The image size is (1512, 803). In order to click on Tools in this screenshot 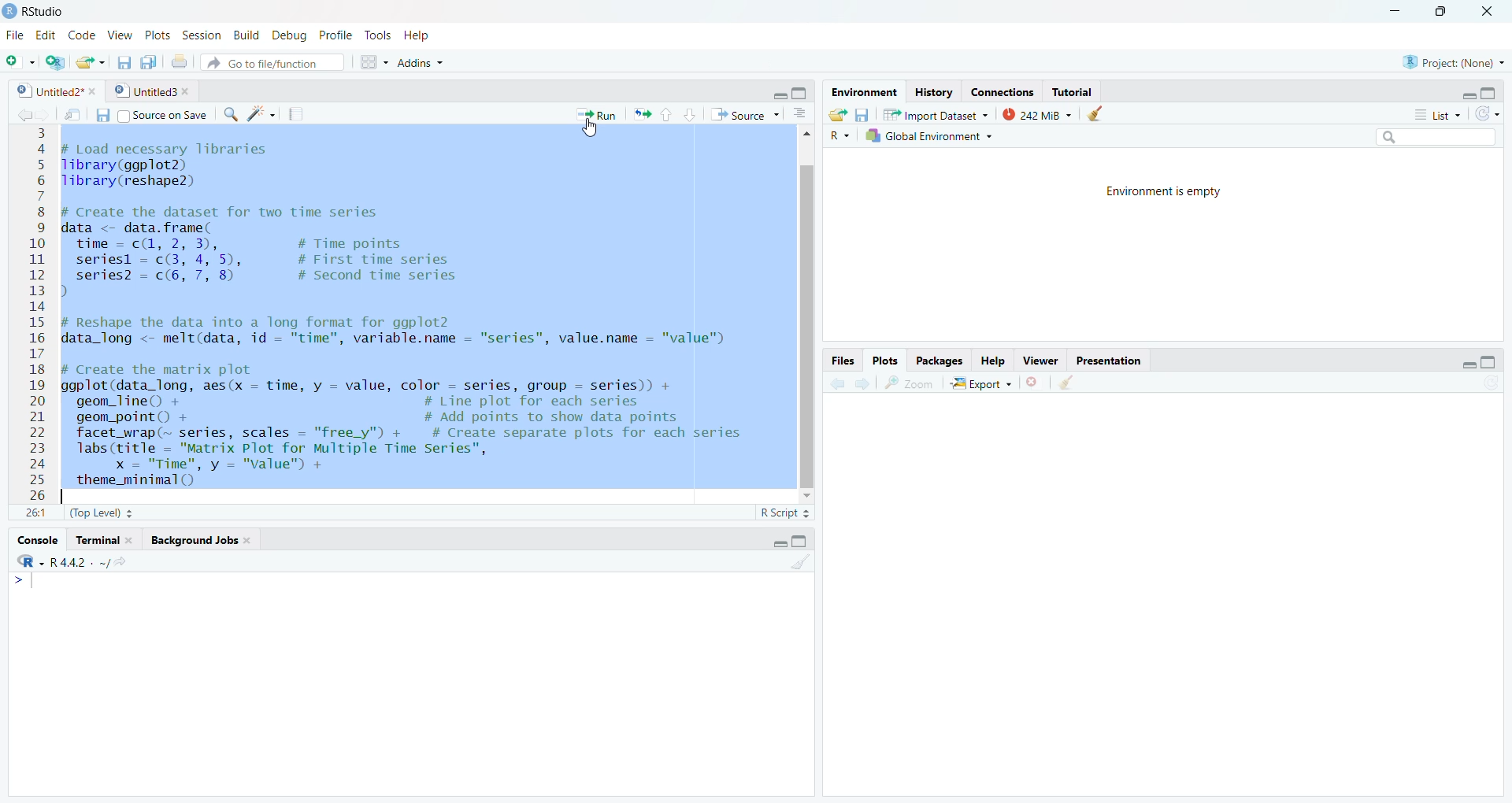, I will do `click(378, 35)`.